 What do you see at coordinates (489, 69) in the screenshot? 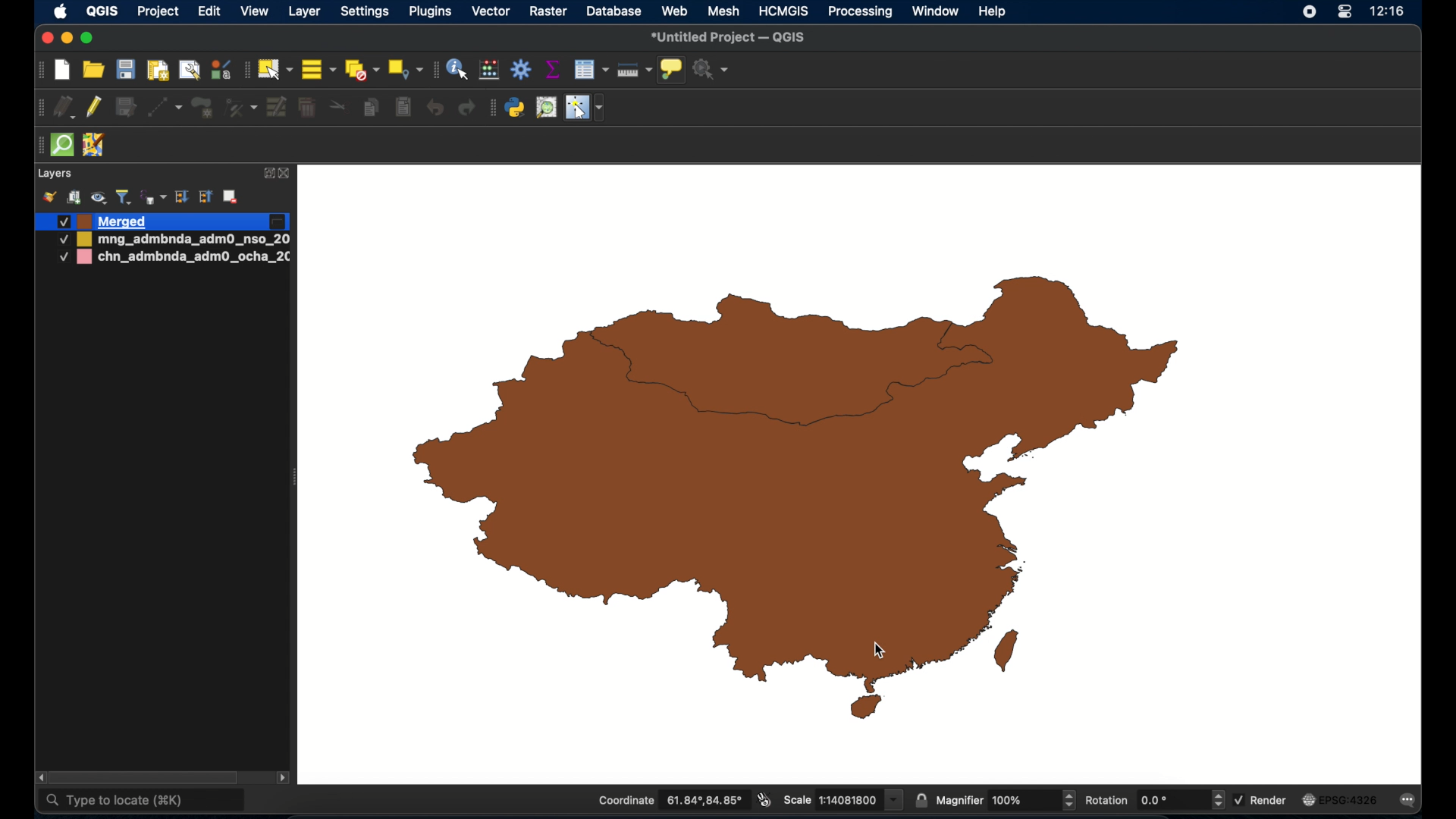
I see `open field calculator` at bounding box center [489, 69].